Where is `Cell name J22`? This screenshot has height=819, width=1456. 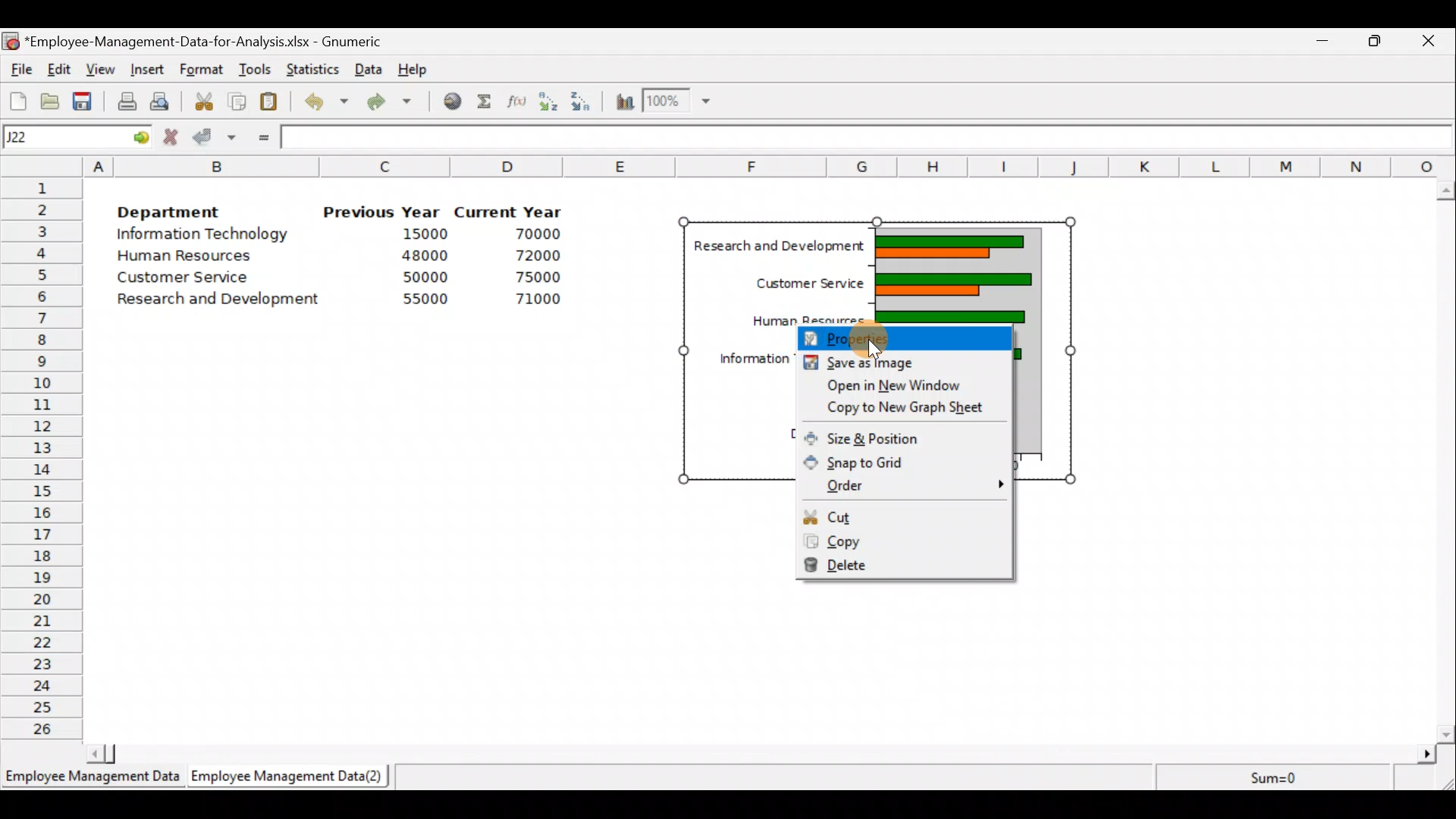
Cell name J22 is located at coordinates (58, 137).